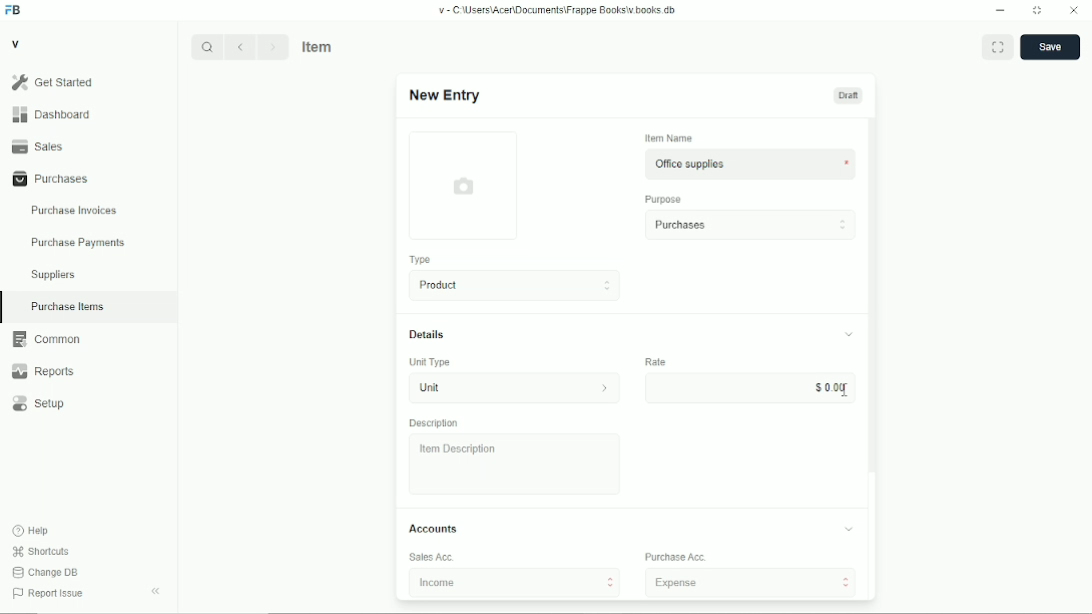 The image size is (1092, 614). What do you see at coordinates (676, 557) in the screenshot?
I see `purchase acc.` at bounding box center [676, 557].